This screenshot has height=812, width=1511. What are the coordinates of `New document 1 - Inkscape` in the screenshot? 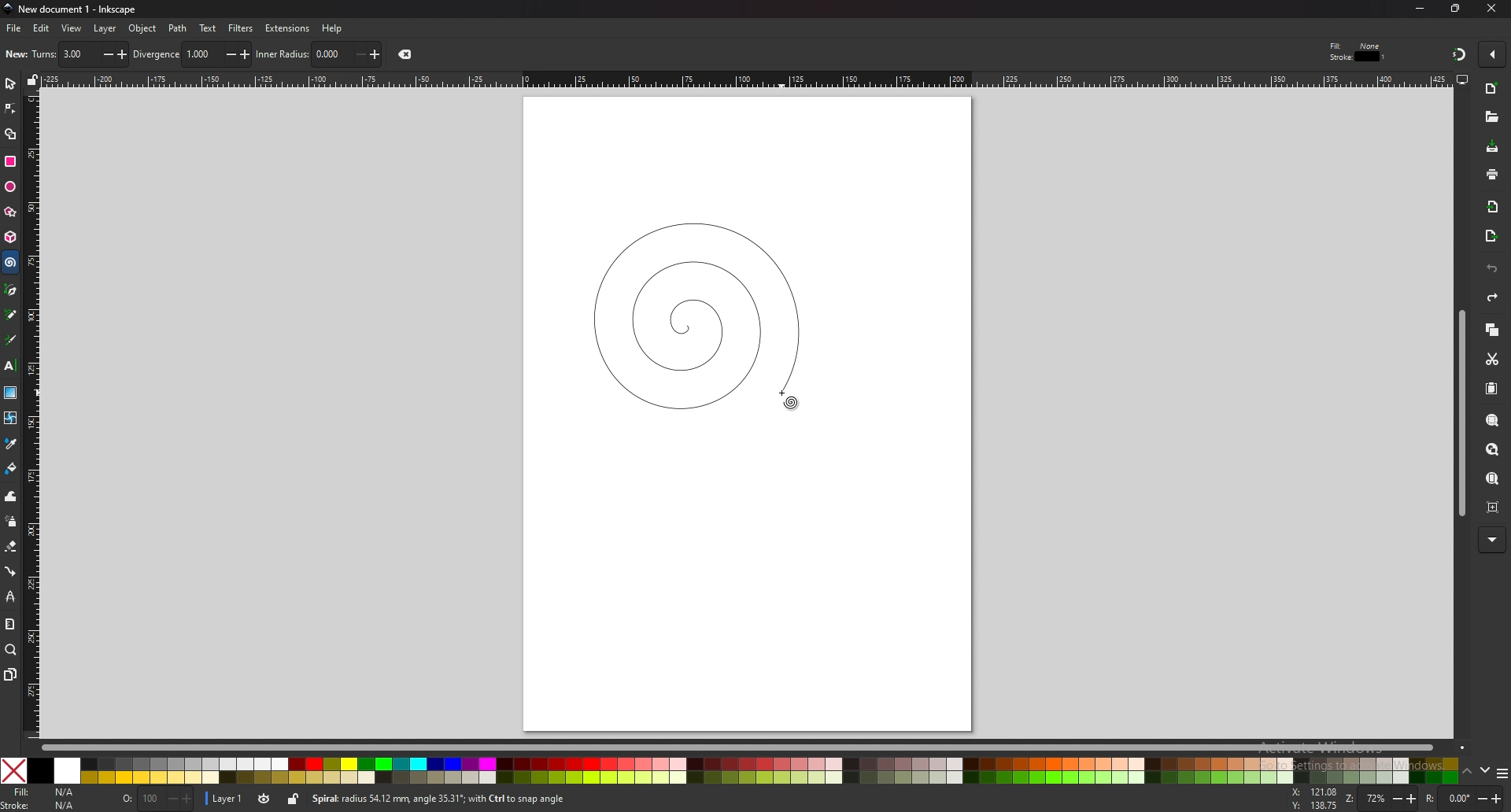 It's located at (71, 9).